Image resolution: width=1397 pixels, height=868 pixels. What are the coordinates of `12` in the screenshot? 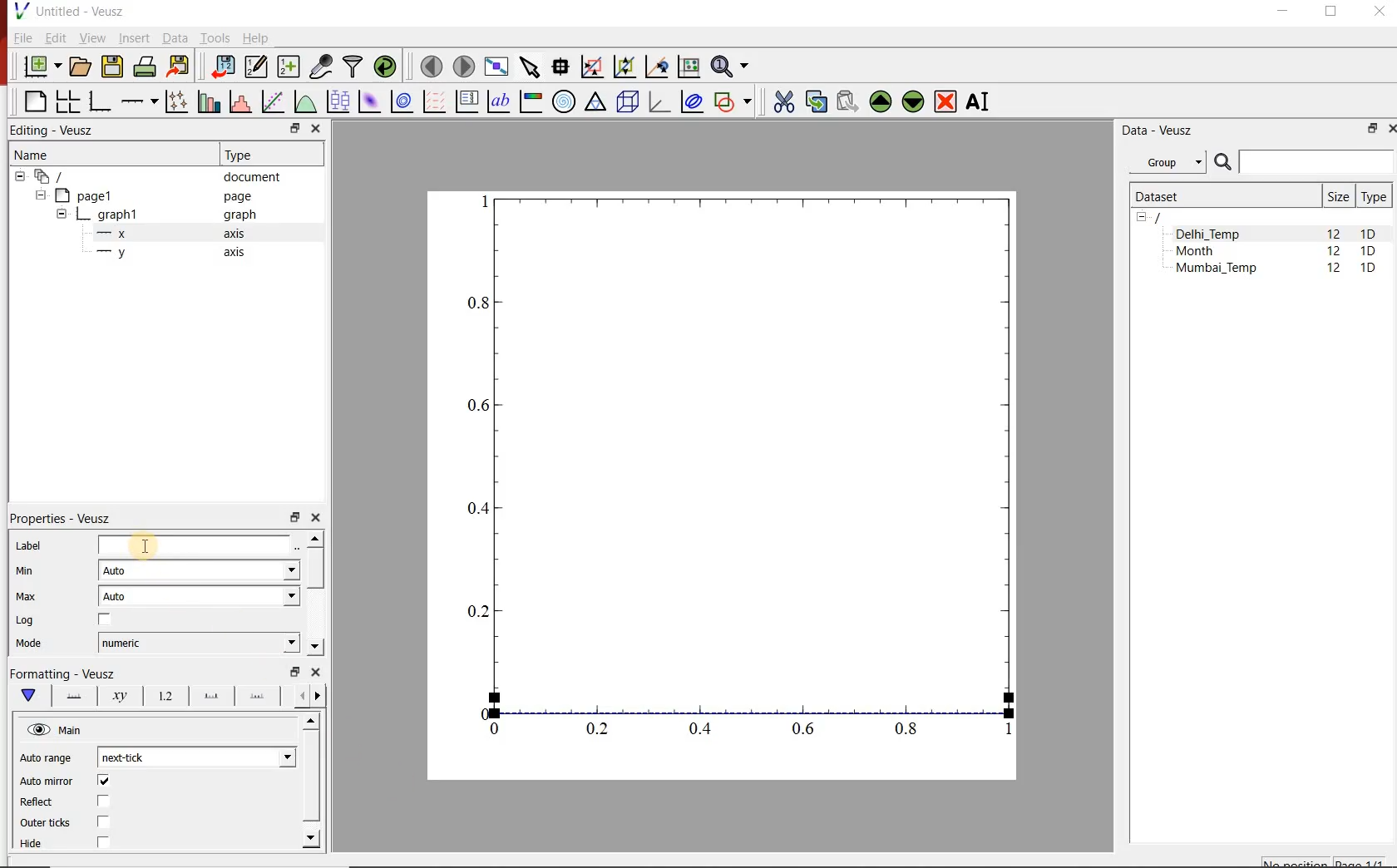 It's located at (1333, 233).